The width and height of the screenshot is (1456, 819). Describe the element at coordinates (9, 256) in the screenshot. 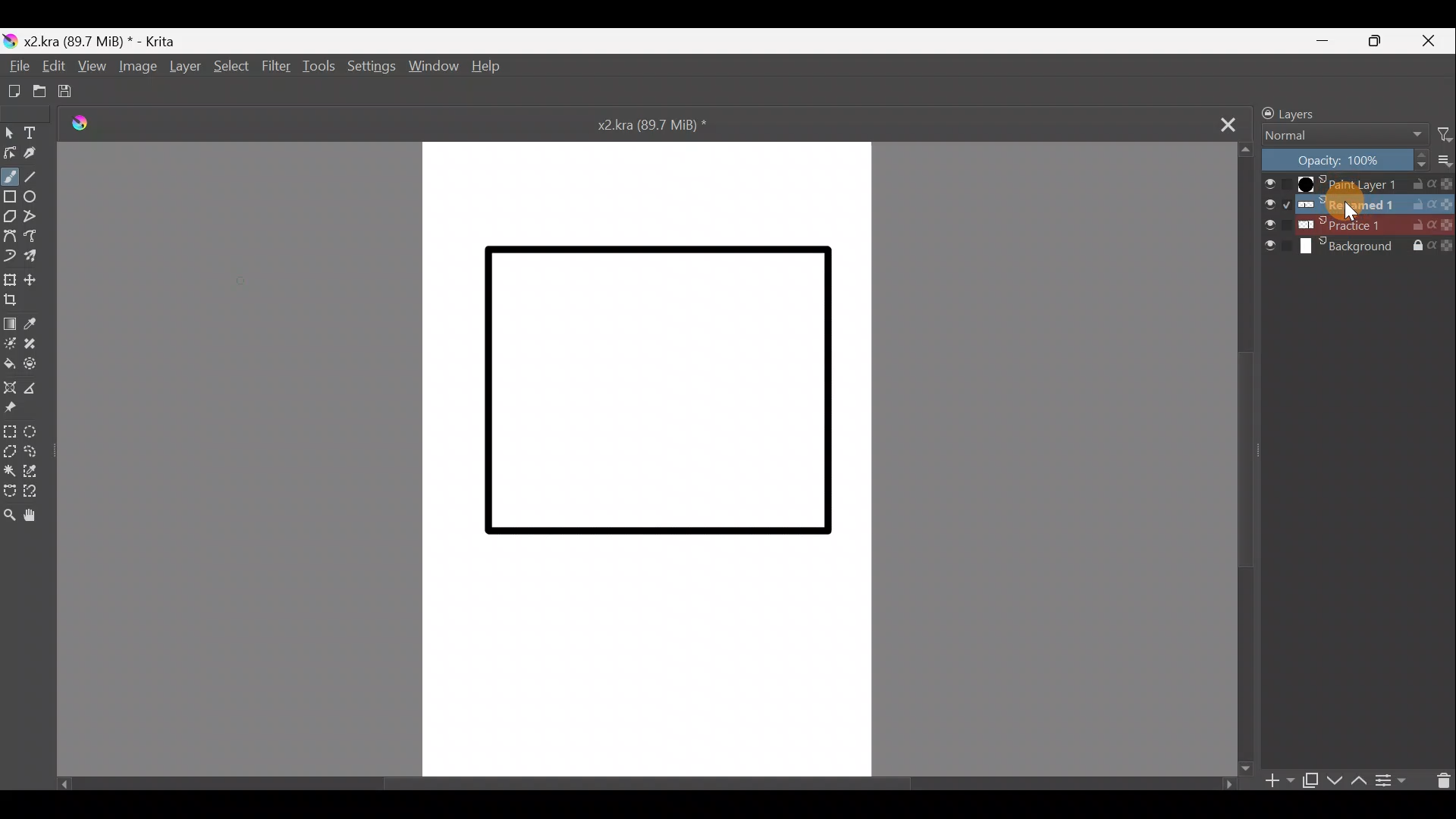

I see `Dynamic brush tool` at that location.